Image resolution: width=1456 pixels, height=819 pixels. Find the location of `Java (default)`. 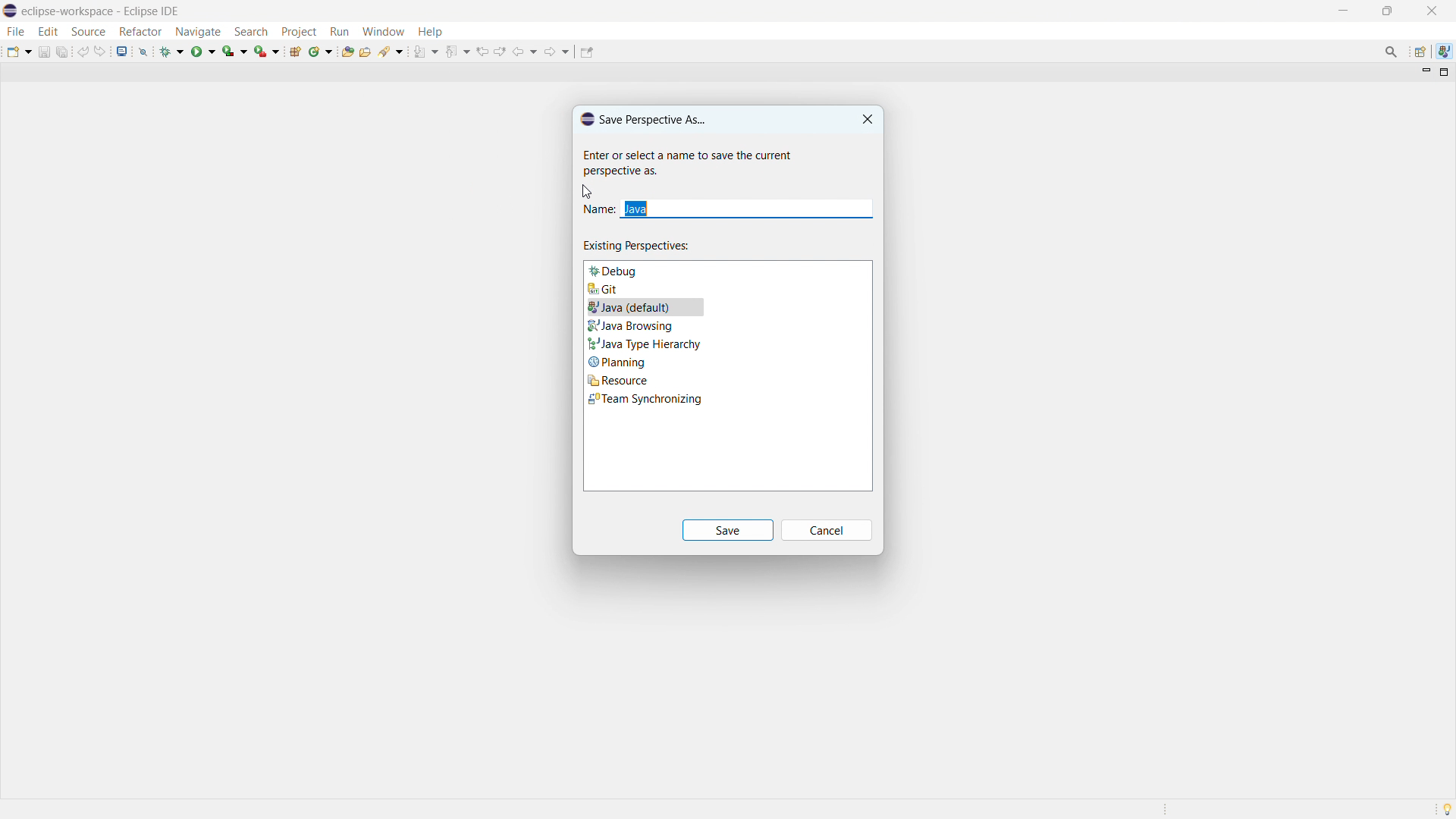

Java (default) is located at coordinates (727, 306).